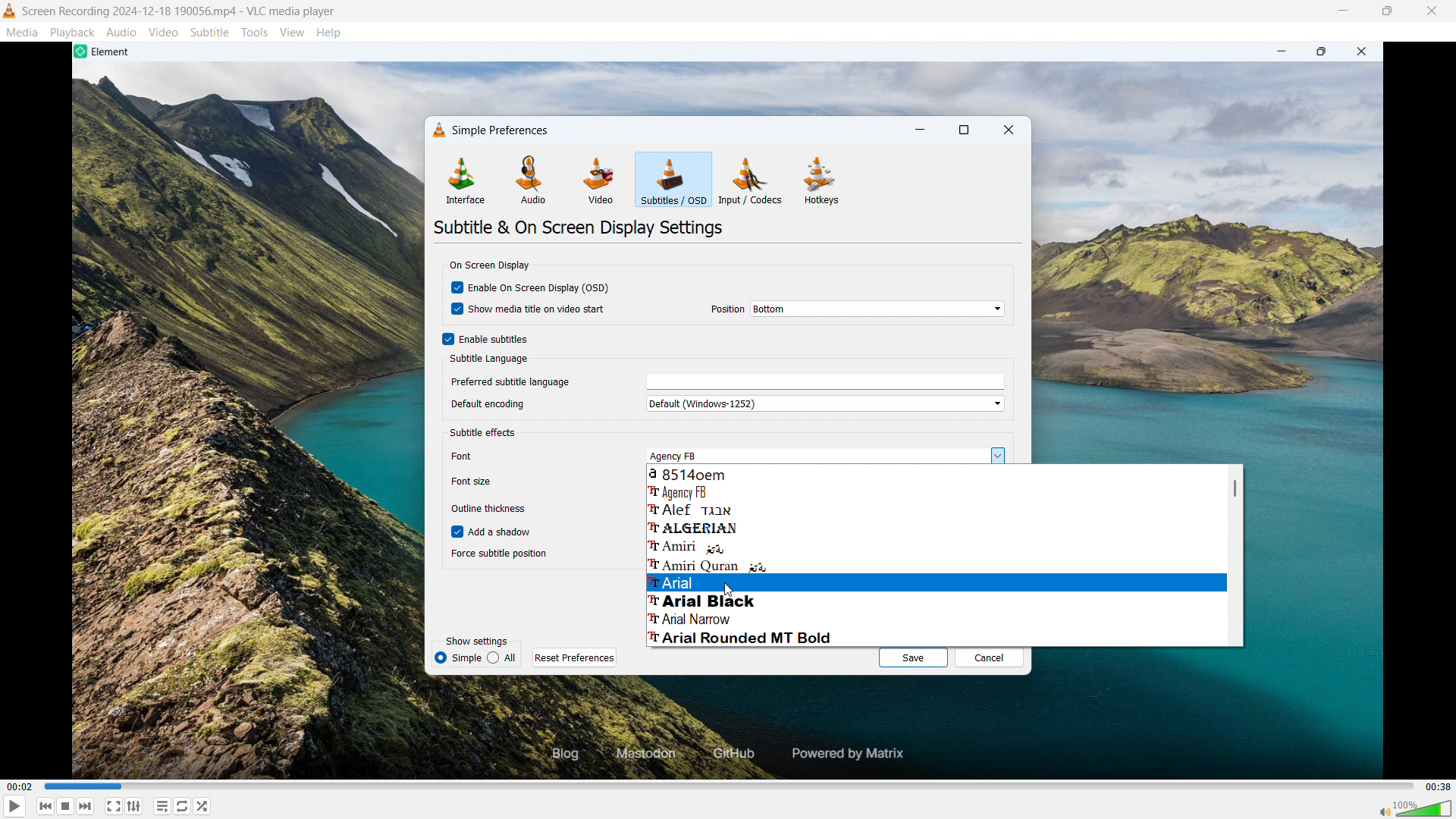 The image size is (1456, 819). Describe the element at coordinates (504, 130) in the screenshot. I see `simple preferences` at that location.